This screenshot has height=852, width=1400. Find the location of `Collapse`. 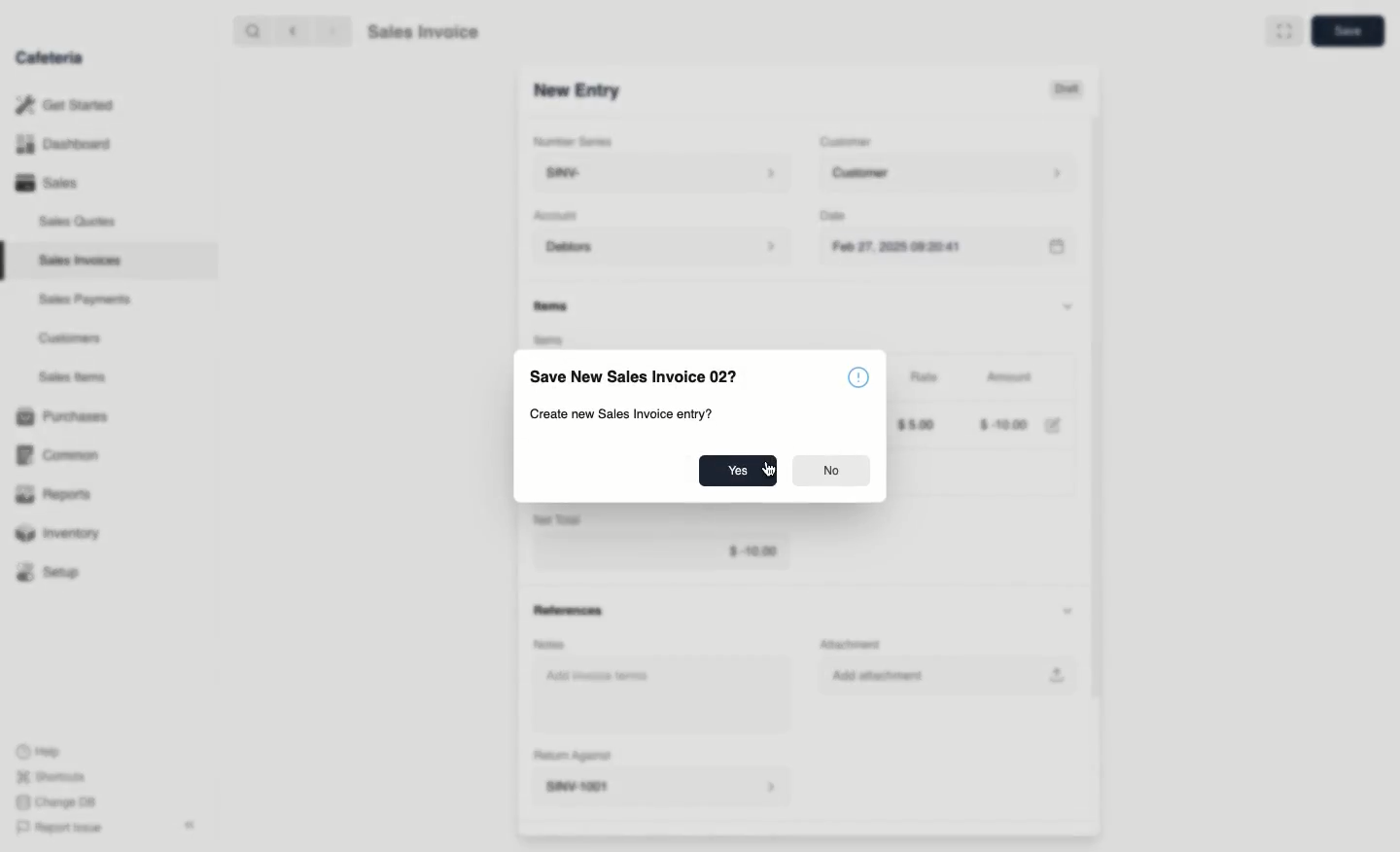

Collapse is located at coordinates (192, 825).